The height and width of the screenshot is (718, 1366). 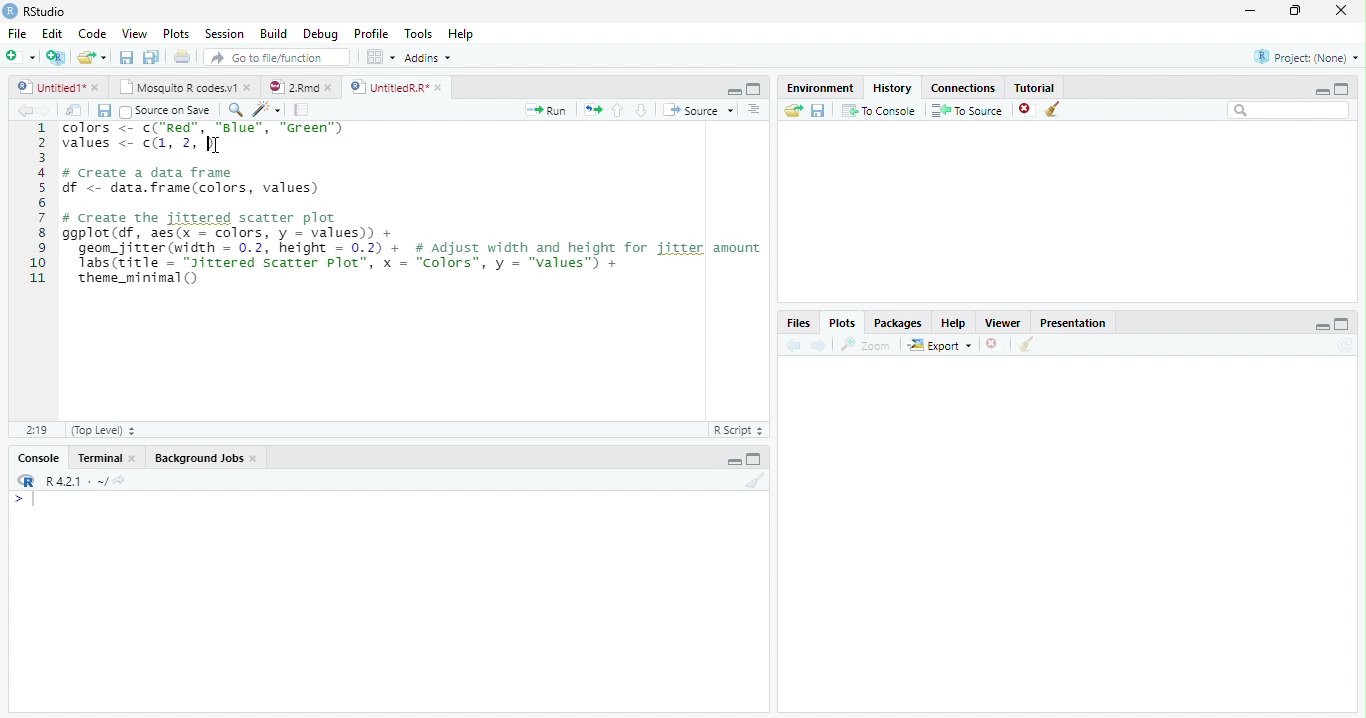 I want to click on Files, so click(x=799, y=323).